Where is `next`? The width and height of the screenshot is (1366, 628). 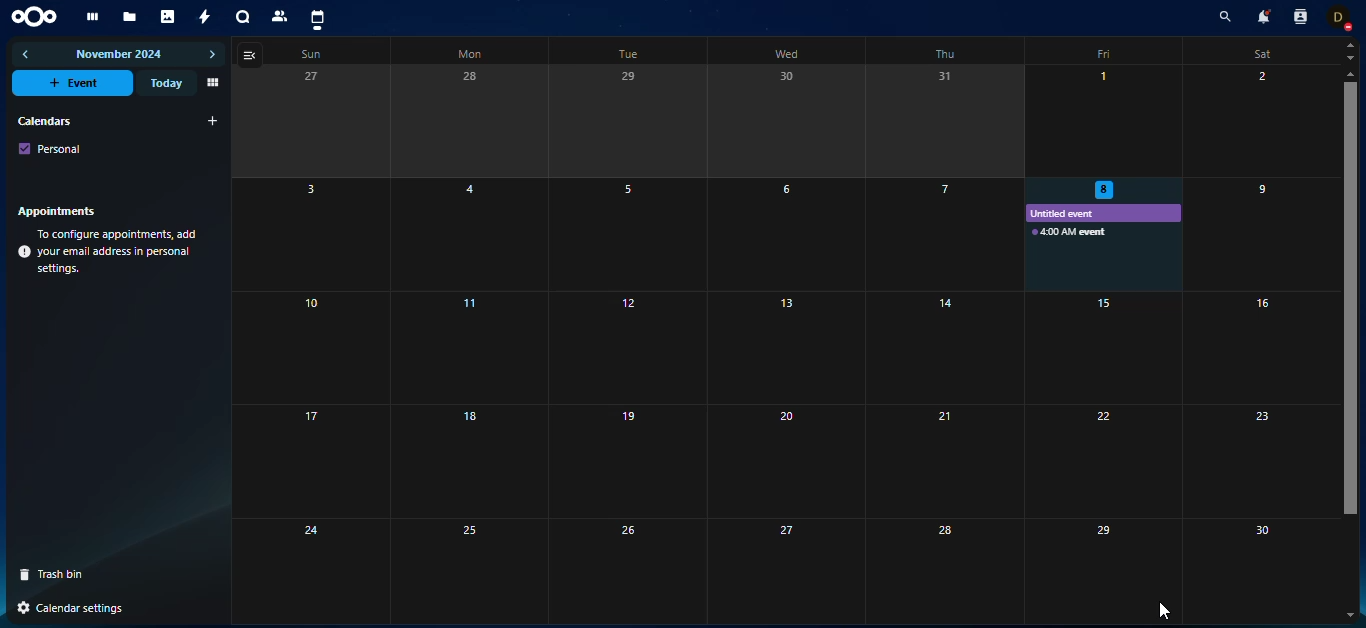
next is located at coordinates (212, 55).